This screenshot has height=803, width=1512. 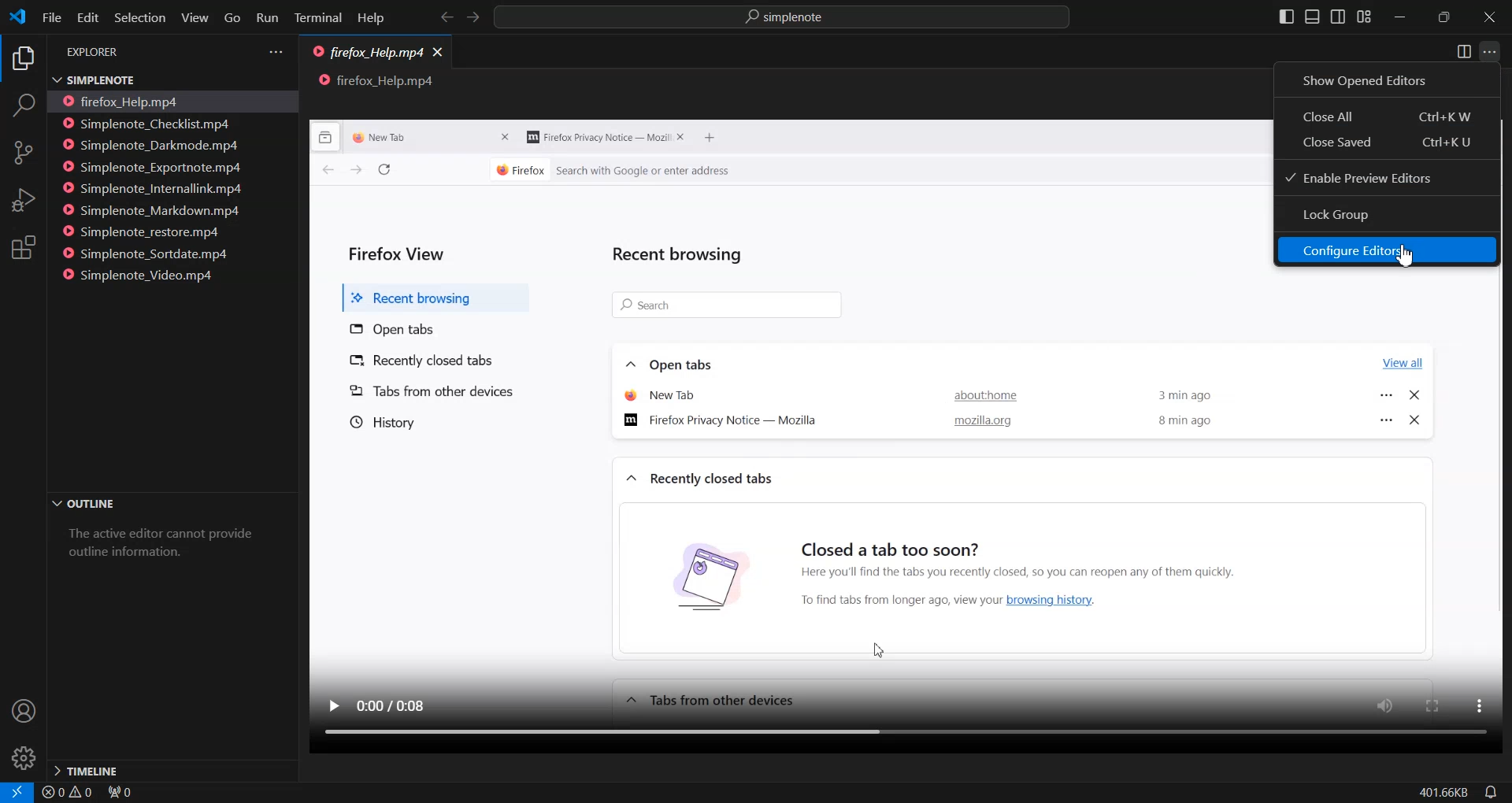 What do you see at coordinates (146, 233) in the screenshot?
I see `| Simplenote_restore.mp4` at bounding box center [146, 233].